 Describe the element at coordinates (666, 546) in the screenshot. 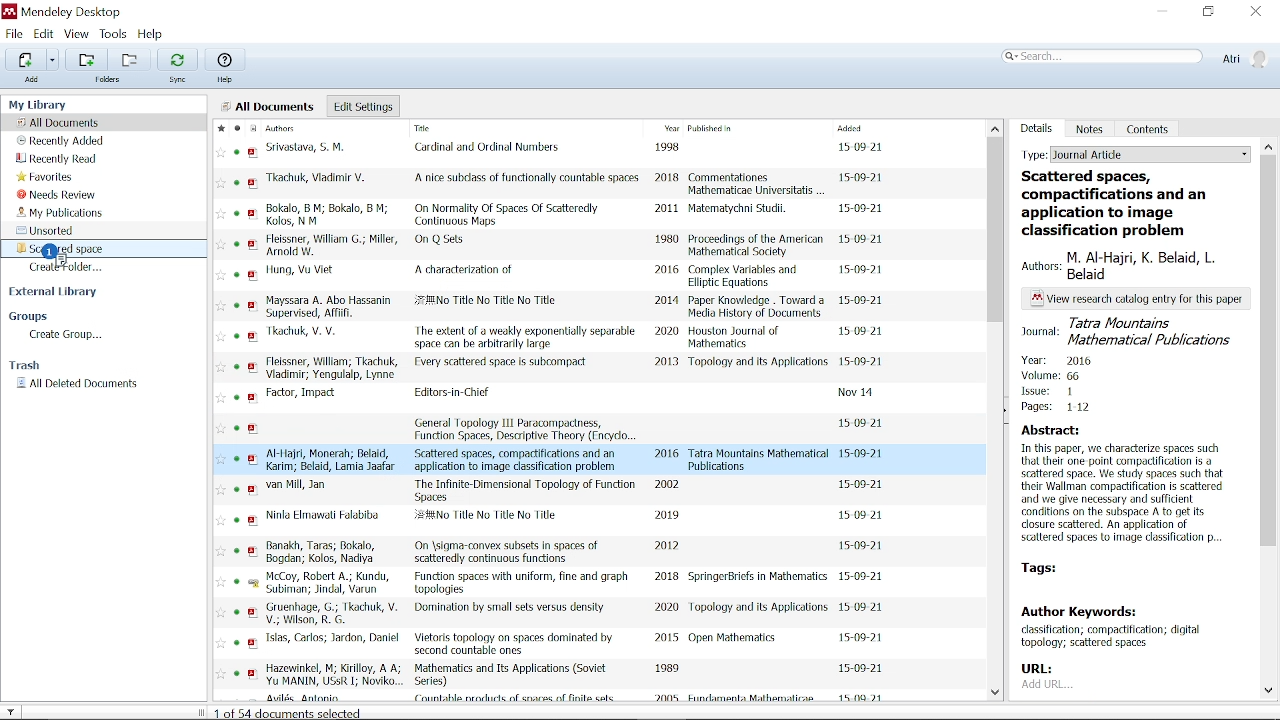

I see `2012` at that location.